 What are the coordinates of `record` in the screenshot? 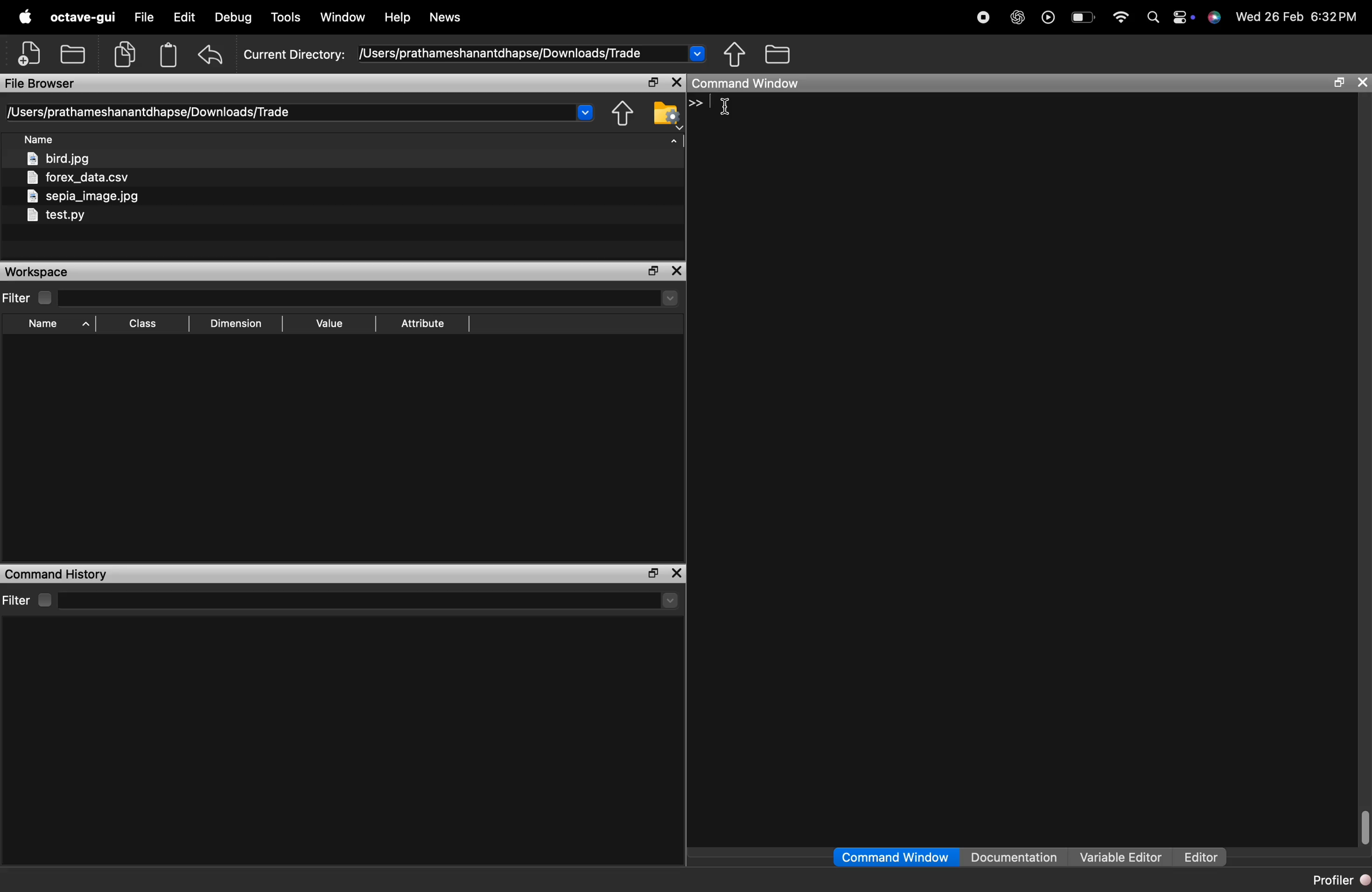 It's located at (982, 16).